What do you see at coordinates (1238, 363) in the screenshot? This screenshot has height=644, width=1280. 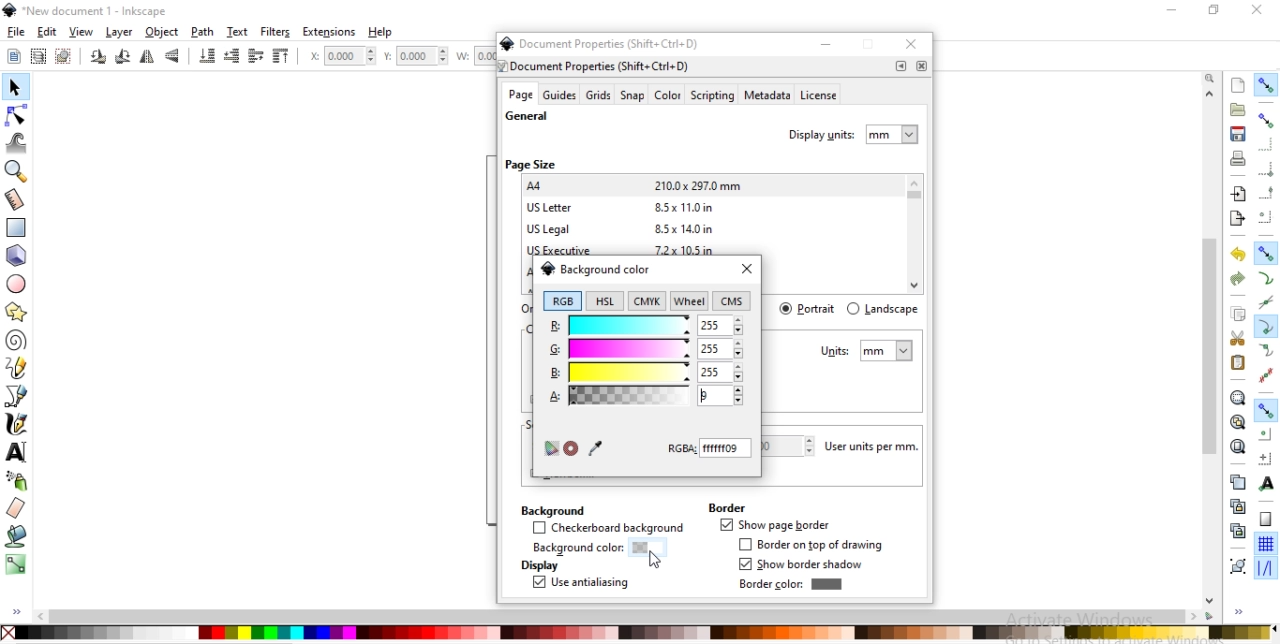 I see `paste` at bounding box center [1238, 363].